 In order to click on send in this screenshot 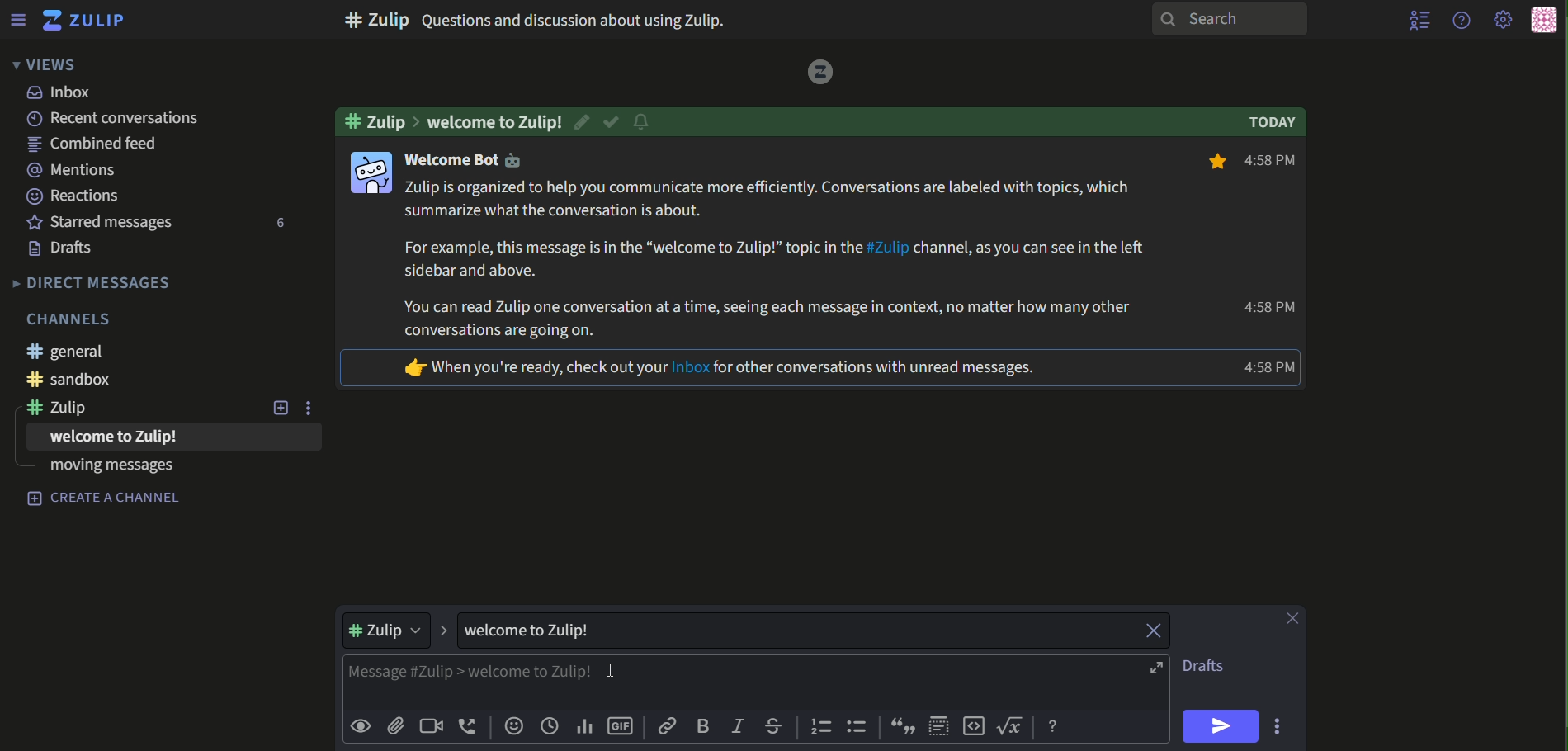, I will do `click(1222, 726)`.